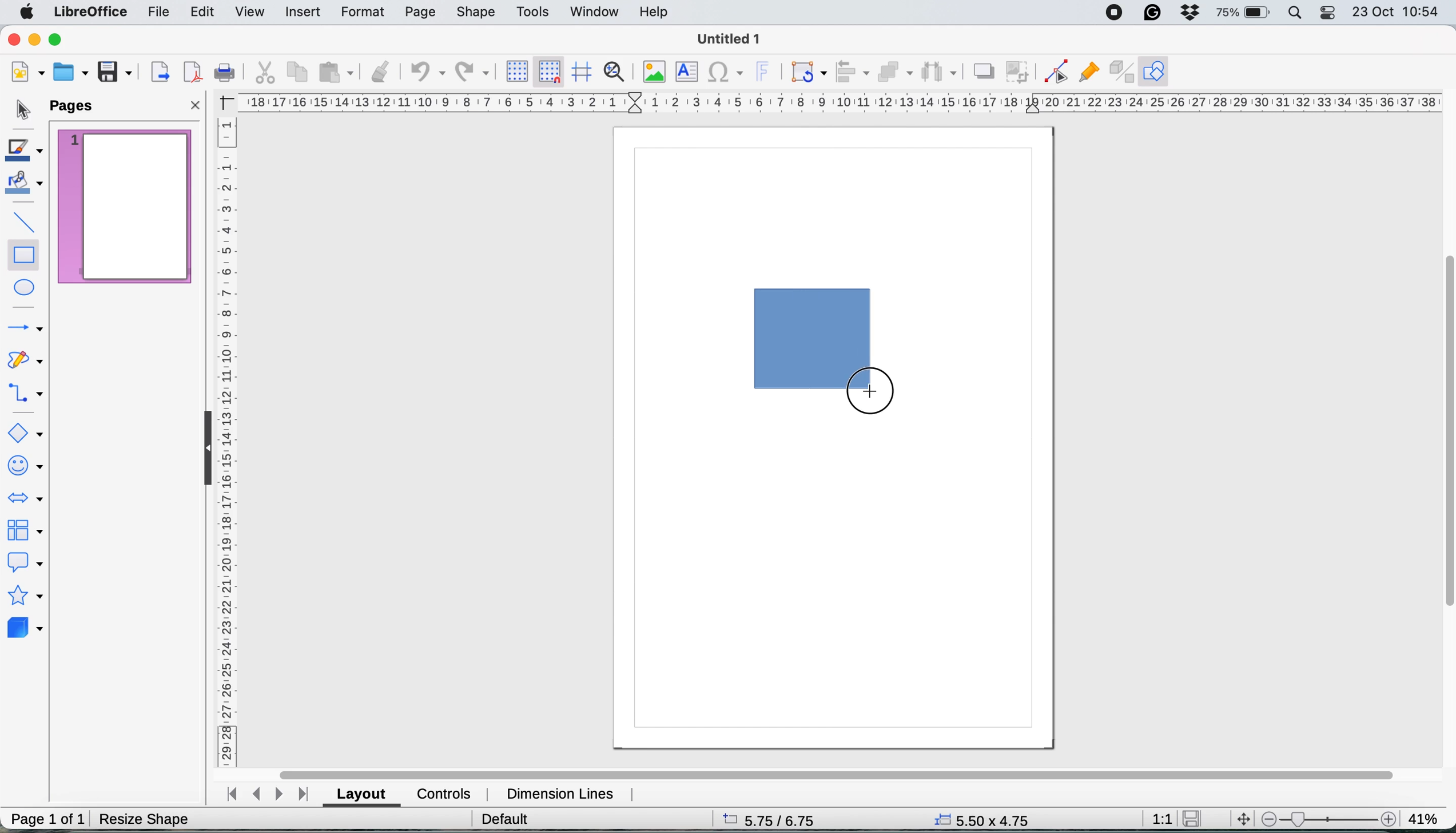 The width and height of the screenshot is (1456, 833). I want to click on insert text box, so click(689, 72).